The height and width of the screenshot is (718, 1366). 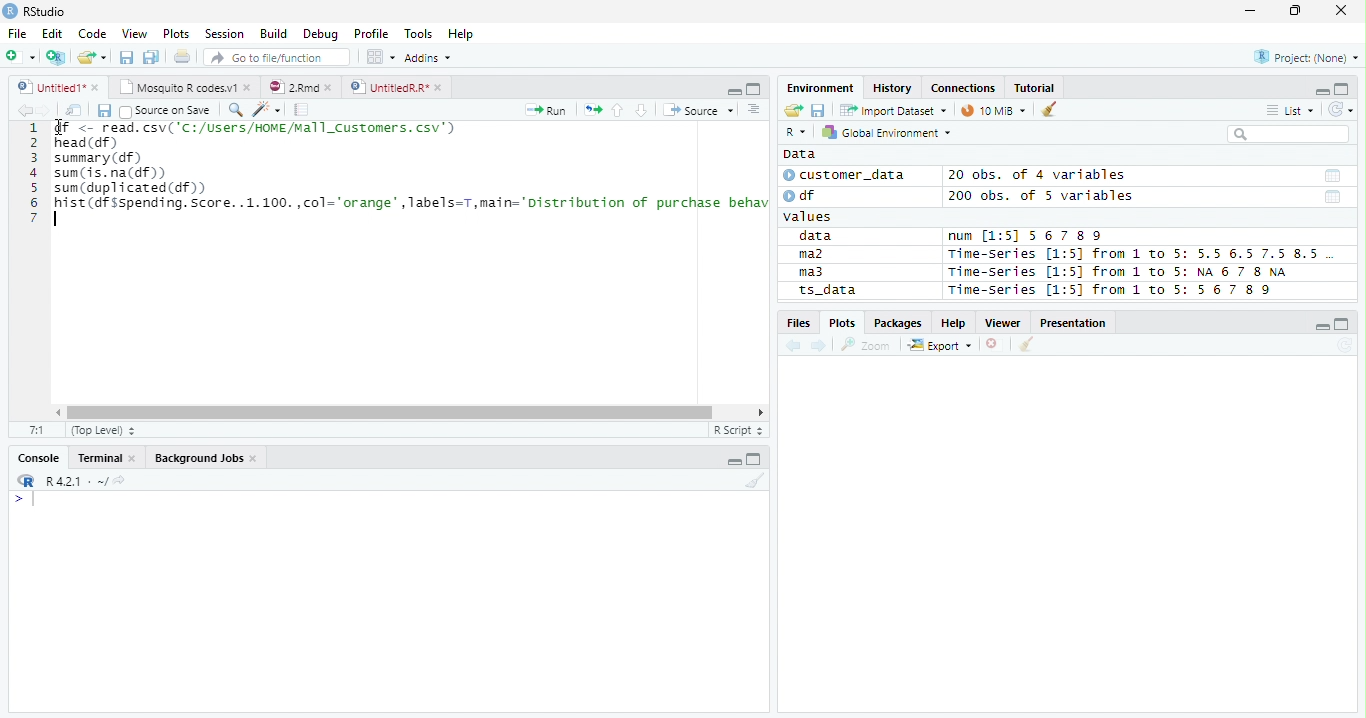 I want to click on Minimze, so click(x=1320, y=90).